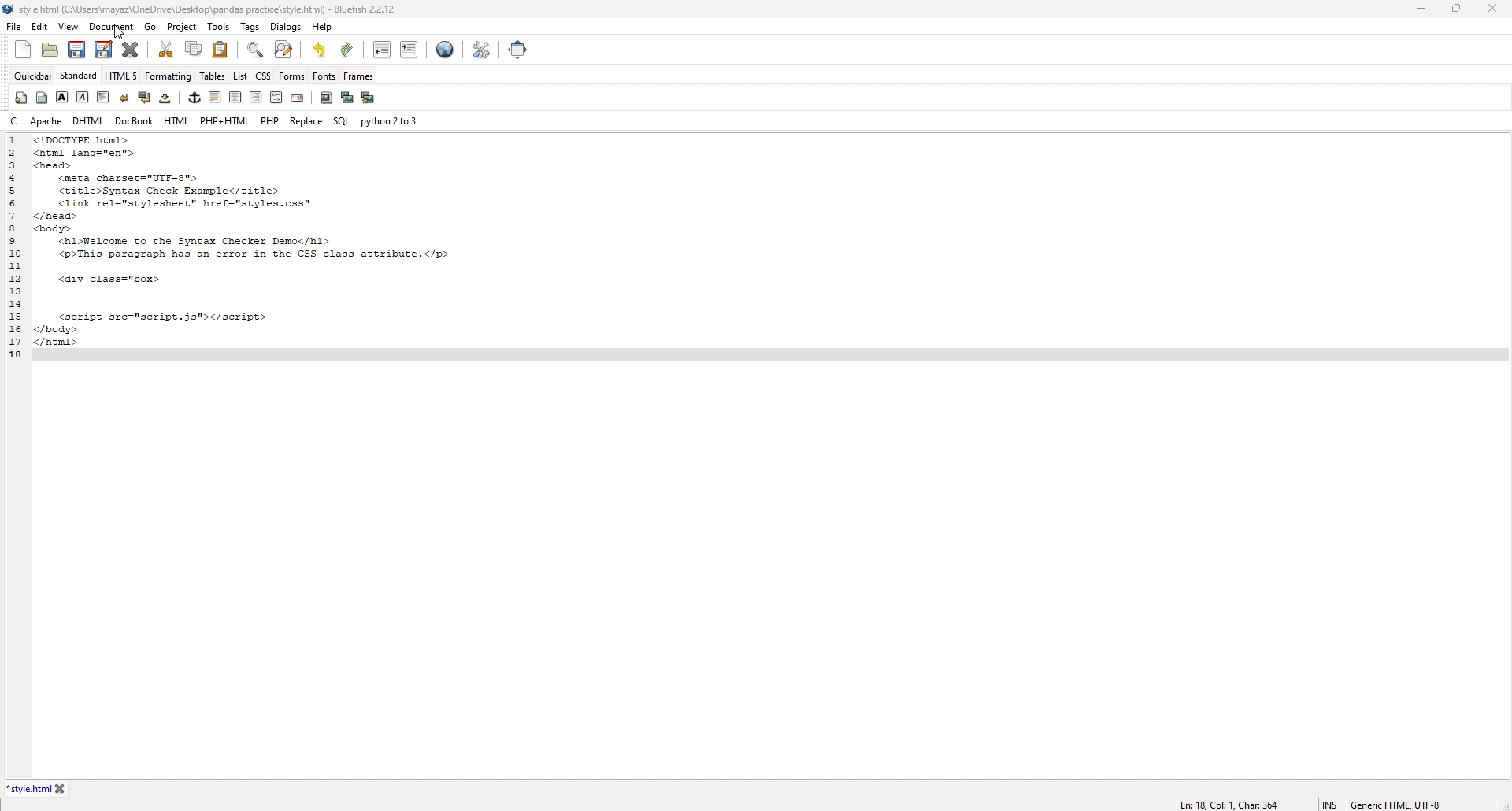 Image resolution: width=1512 pixels, height=811 pixels. What do you see at coordinates (276, 96) in the screenshot?
I see `html comment` at bounding box center [276, 96].